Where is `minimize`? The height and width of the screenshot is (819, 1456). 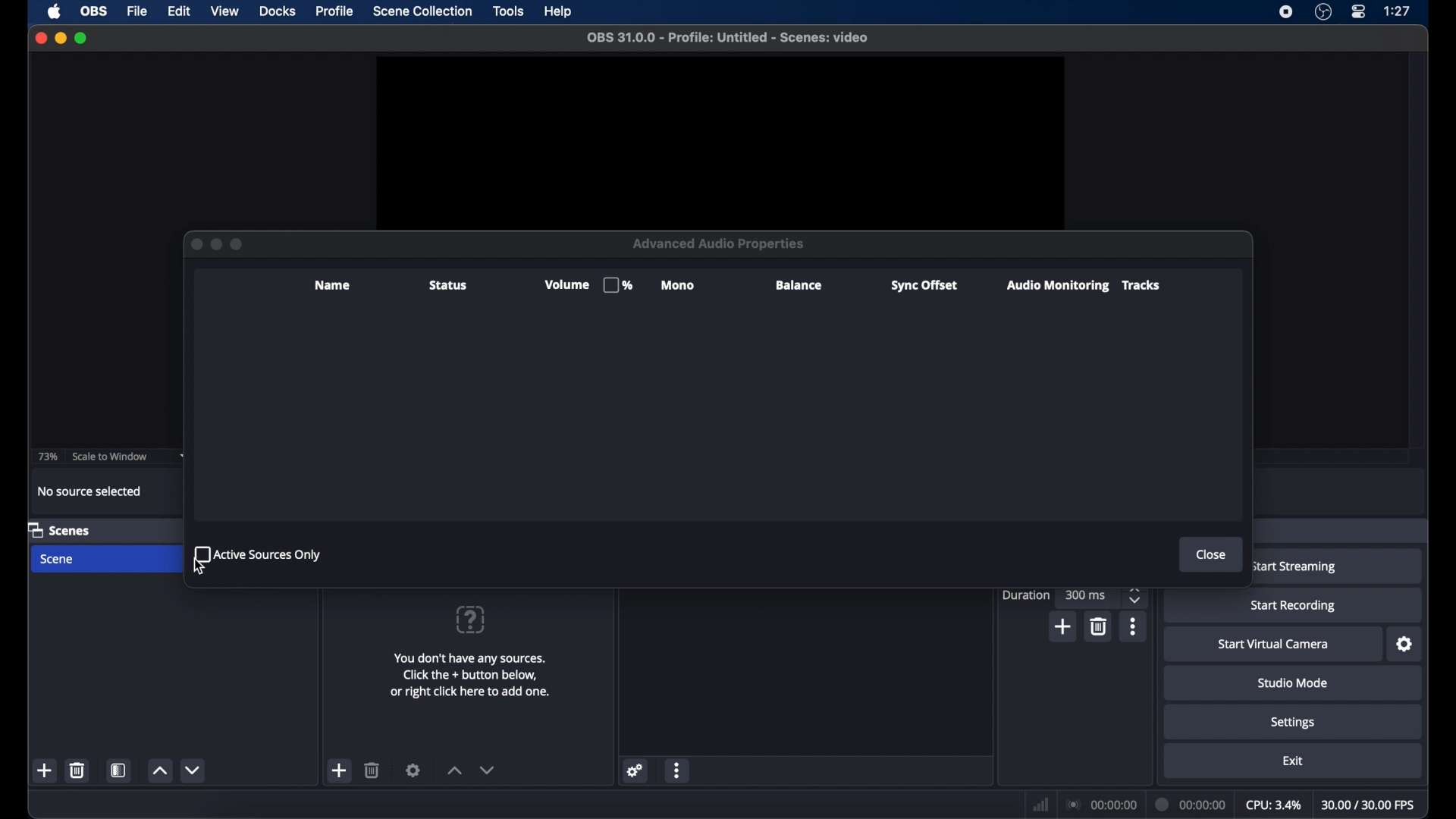 minimize is located at coordinates (60, 38).